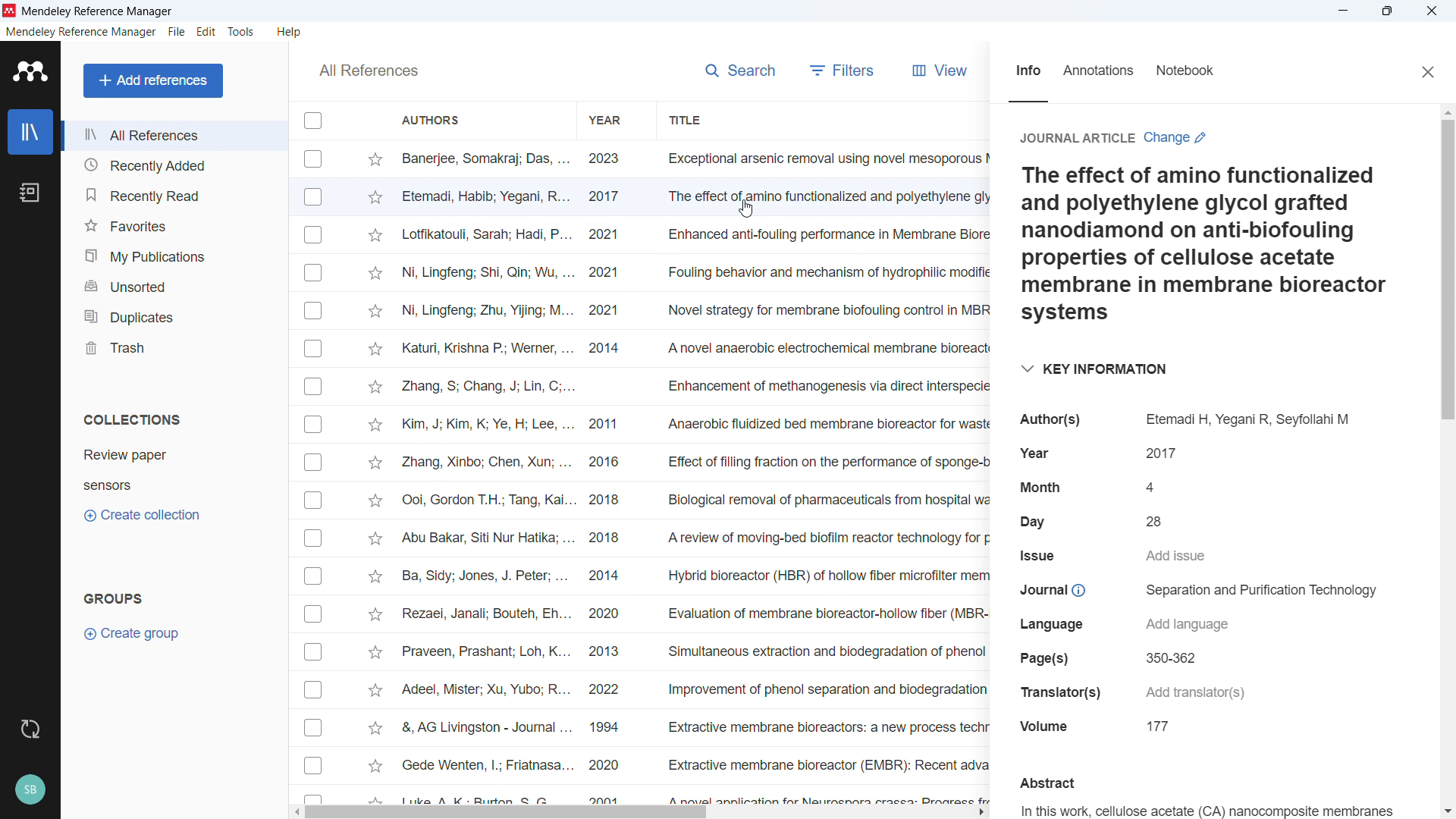 This screenshot has width=1456, height=819. I want to click on Profile , so click(30, 790).